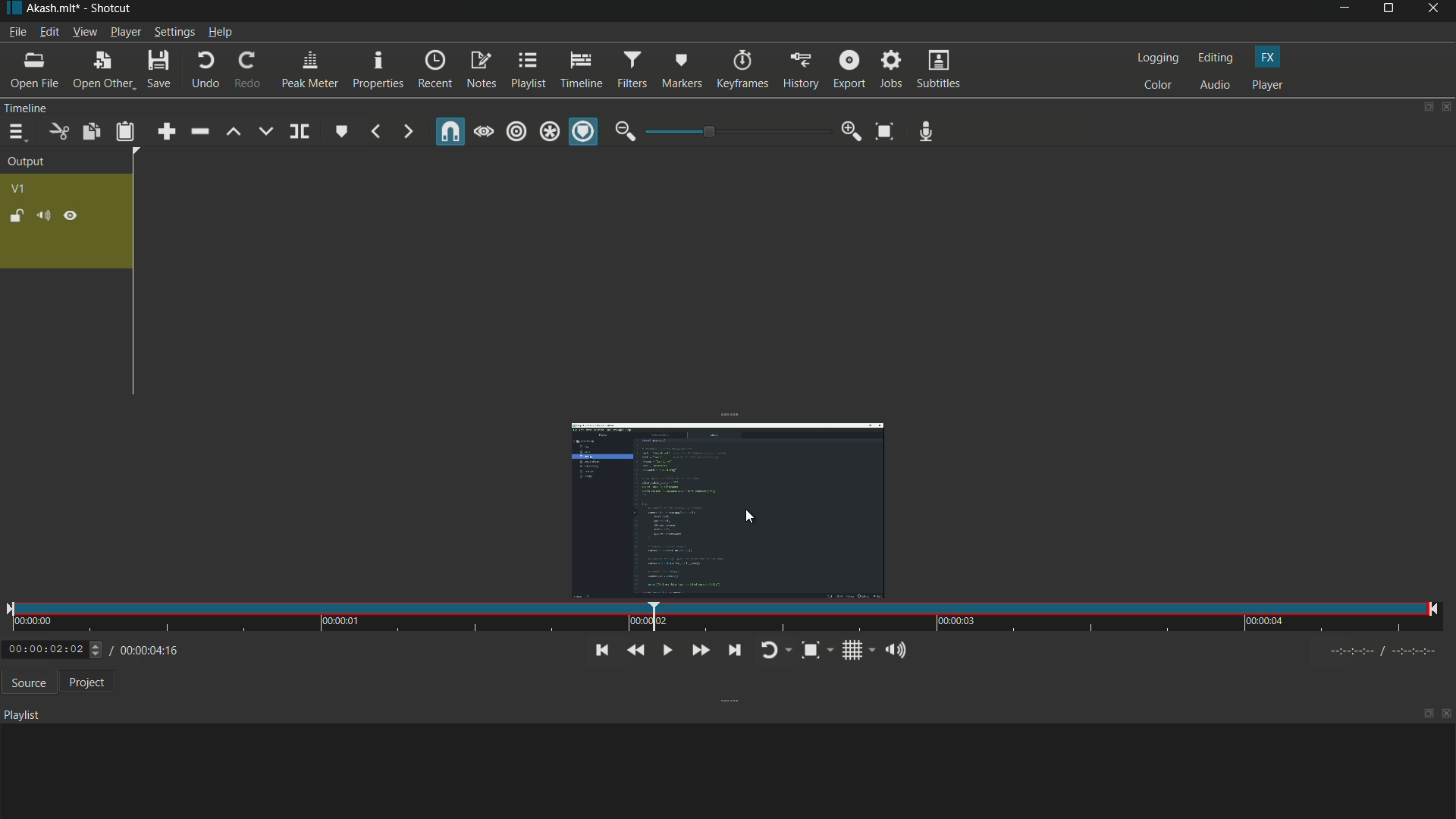 The width and height of the screenshot is (1456, 819). Describe the element at coordinates (731, 649) in the screenshot. I see `skip to the next point` at that location.